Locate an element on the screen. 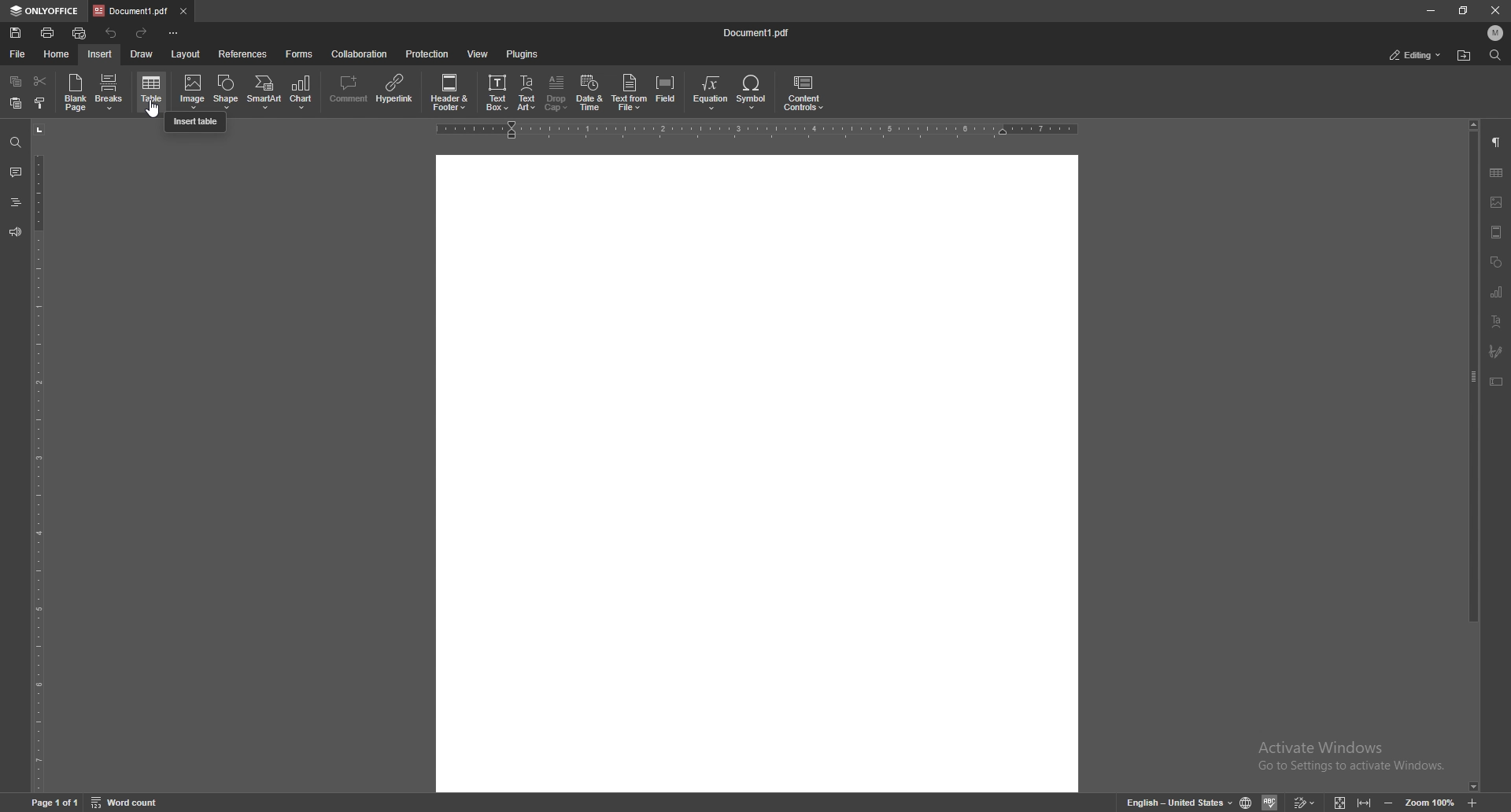  text box is located at coordinates (496, 94).